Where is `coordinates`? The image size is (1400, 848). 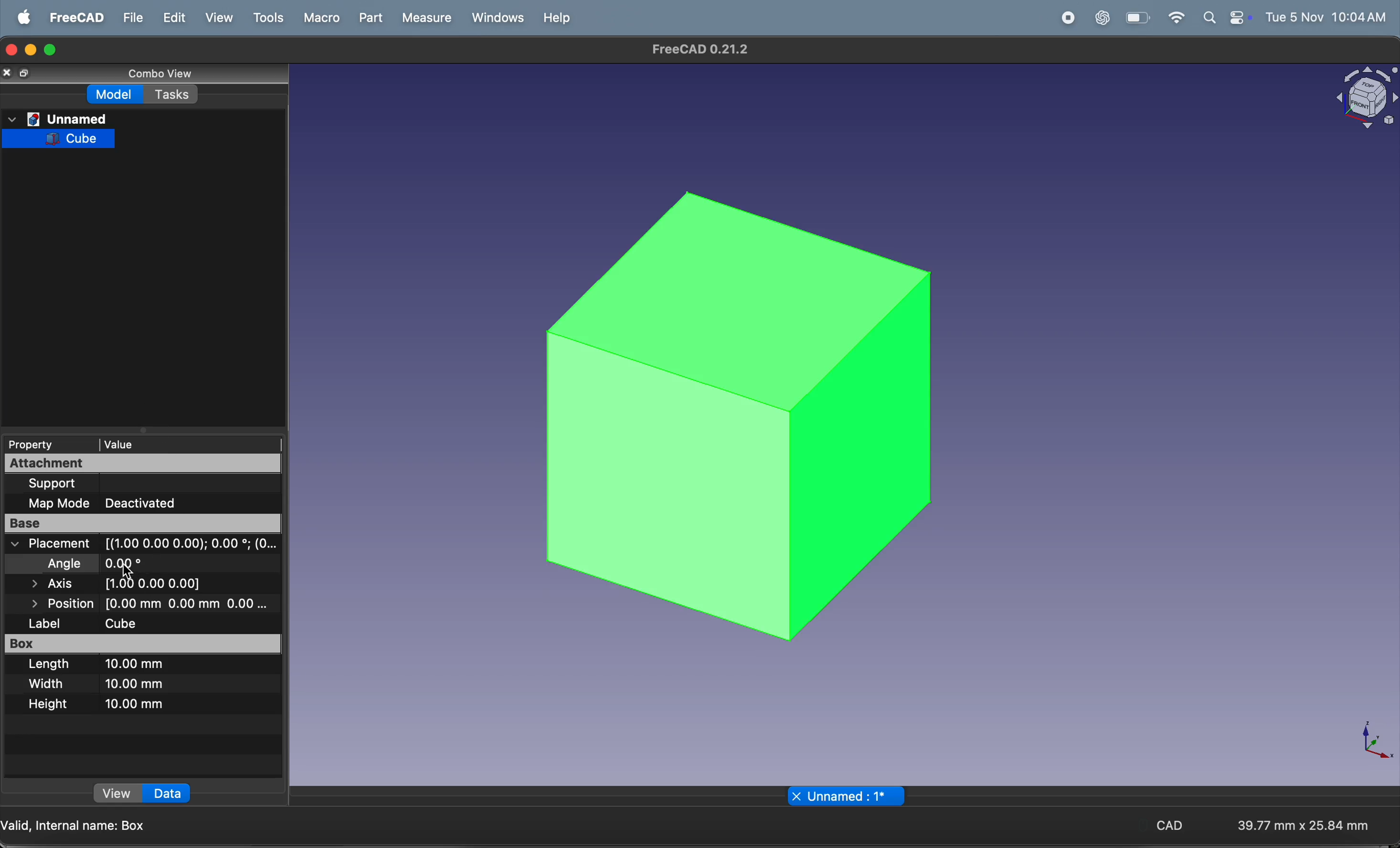
coordinates is located at coordinates (187, 544).